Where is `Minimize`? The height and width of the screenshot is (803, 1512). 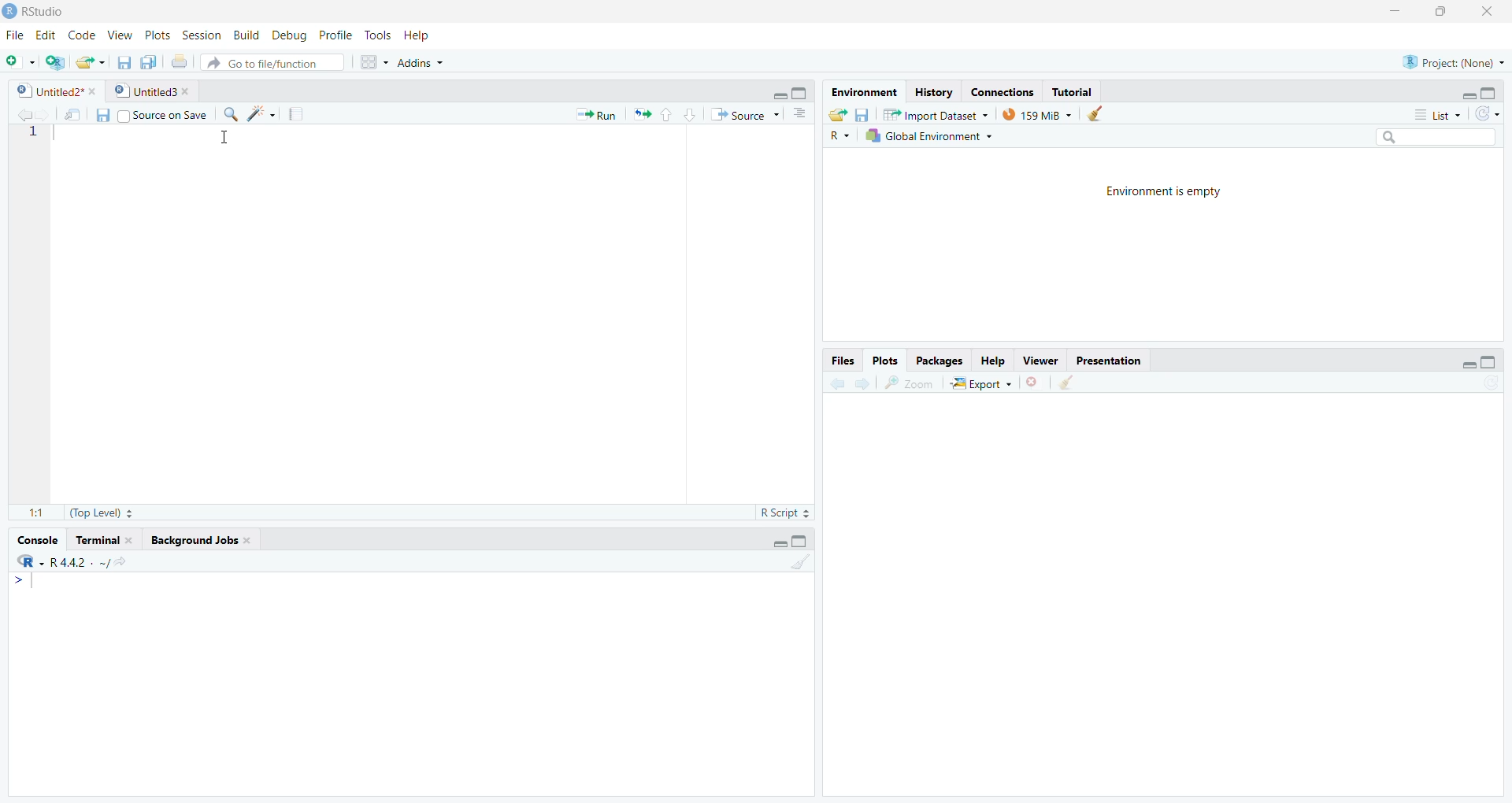
Minimize is located at coordinates (1467, 92).